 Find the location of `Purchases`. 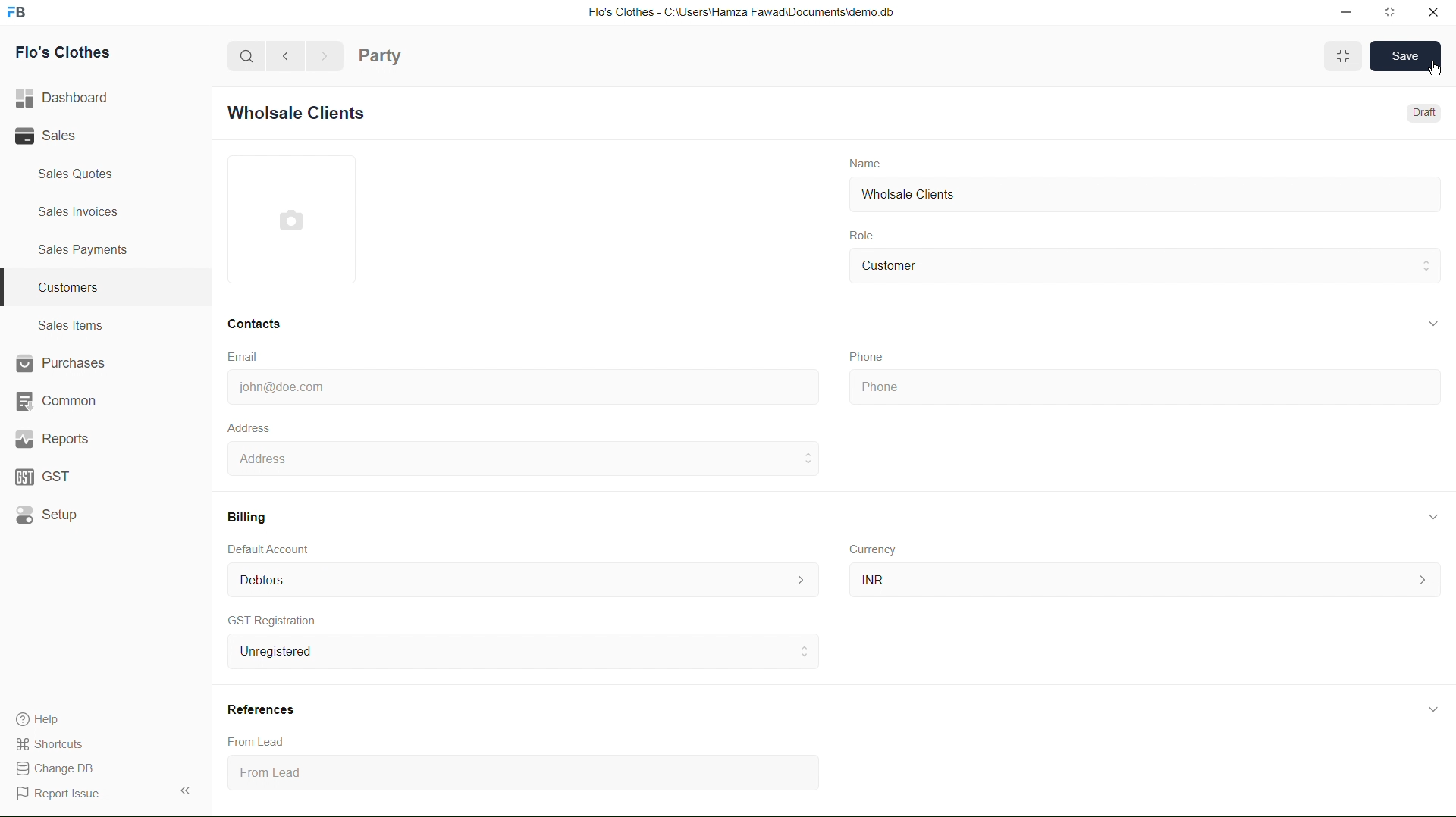

Purchases is located at coordinates (62, 363).